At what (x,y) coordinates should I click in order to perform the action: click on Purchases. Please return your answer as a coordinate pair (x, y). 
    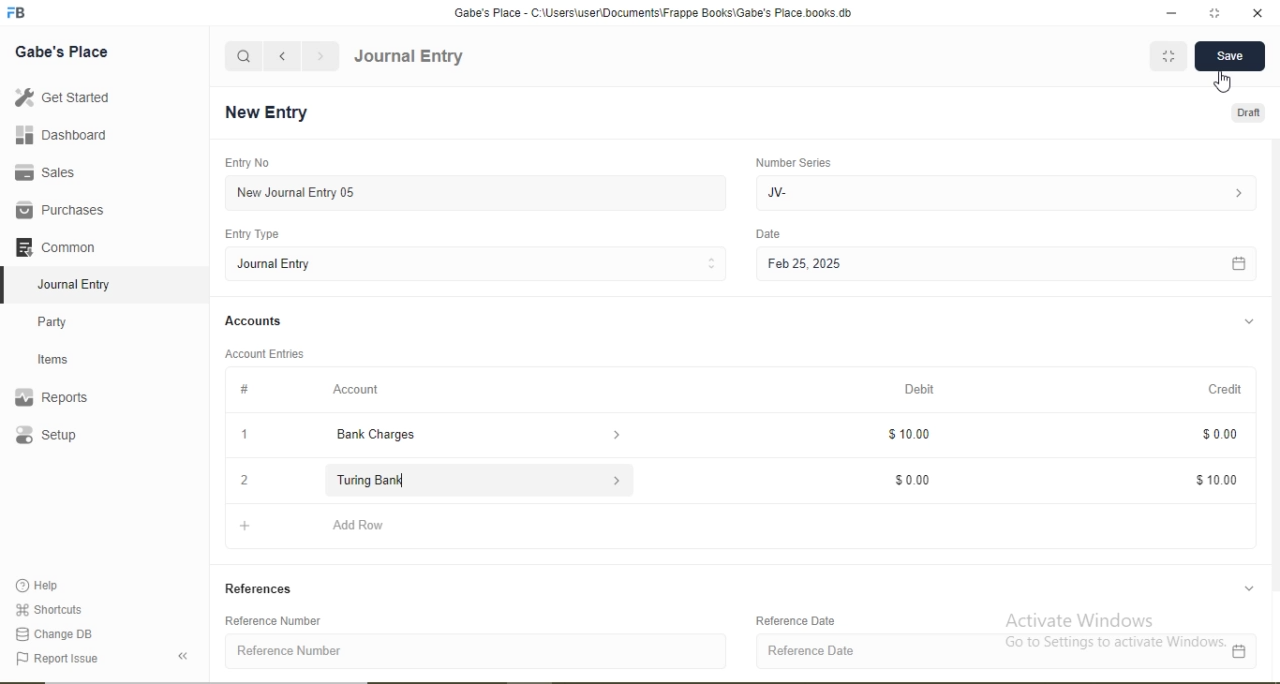
    Looking at the image, I should click on (60, 210).